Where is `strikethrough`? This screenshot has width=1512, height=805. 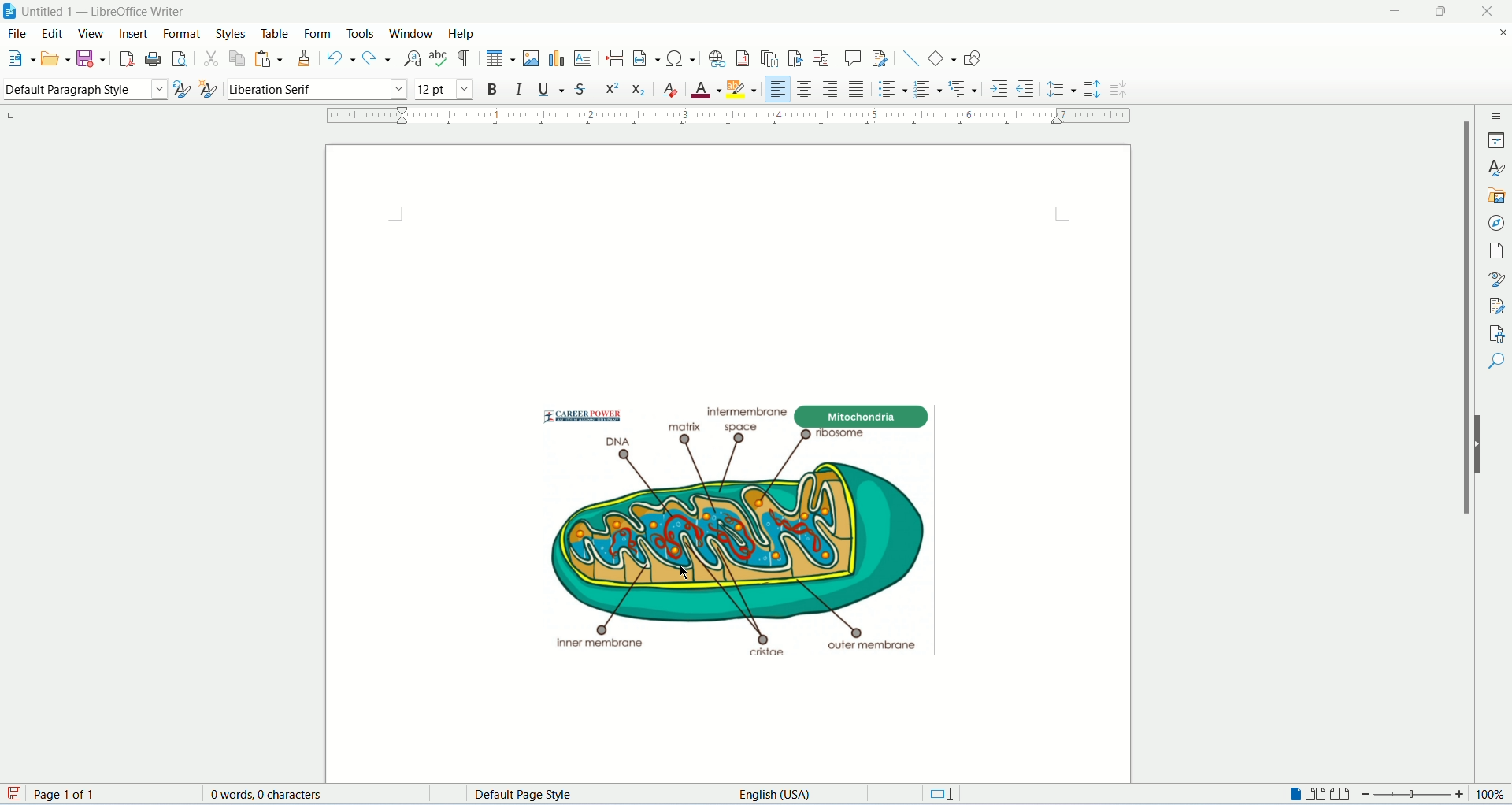
strikethrough is located at coordinates (581, 89).